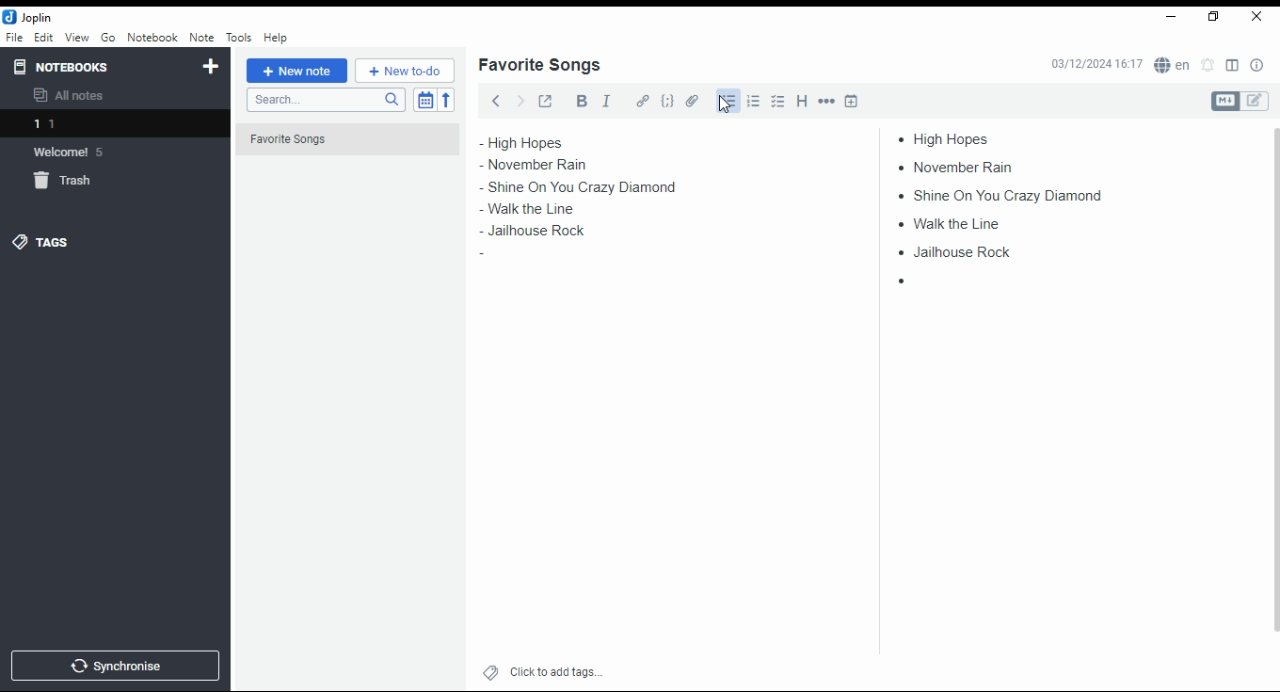  I want to click on Favorite Songs, so click(337, 140).